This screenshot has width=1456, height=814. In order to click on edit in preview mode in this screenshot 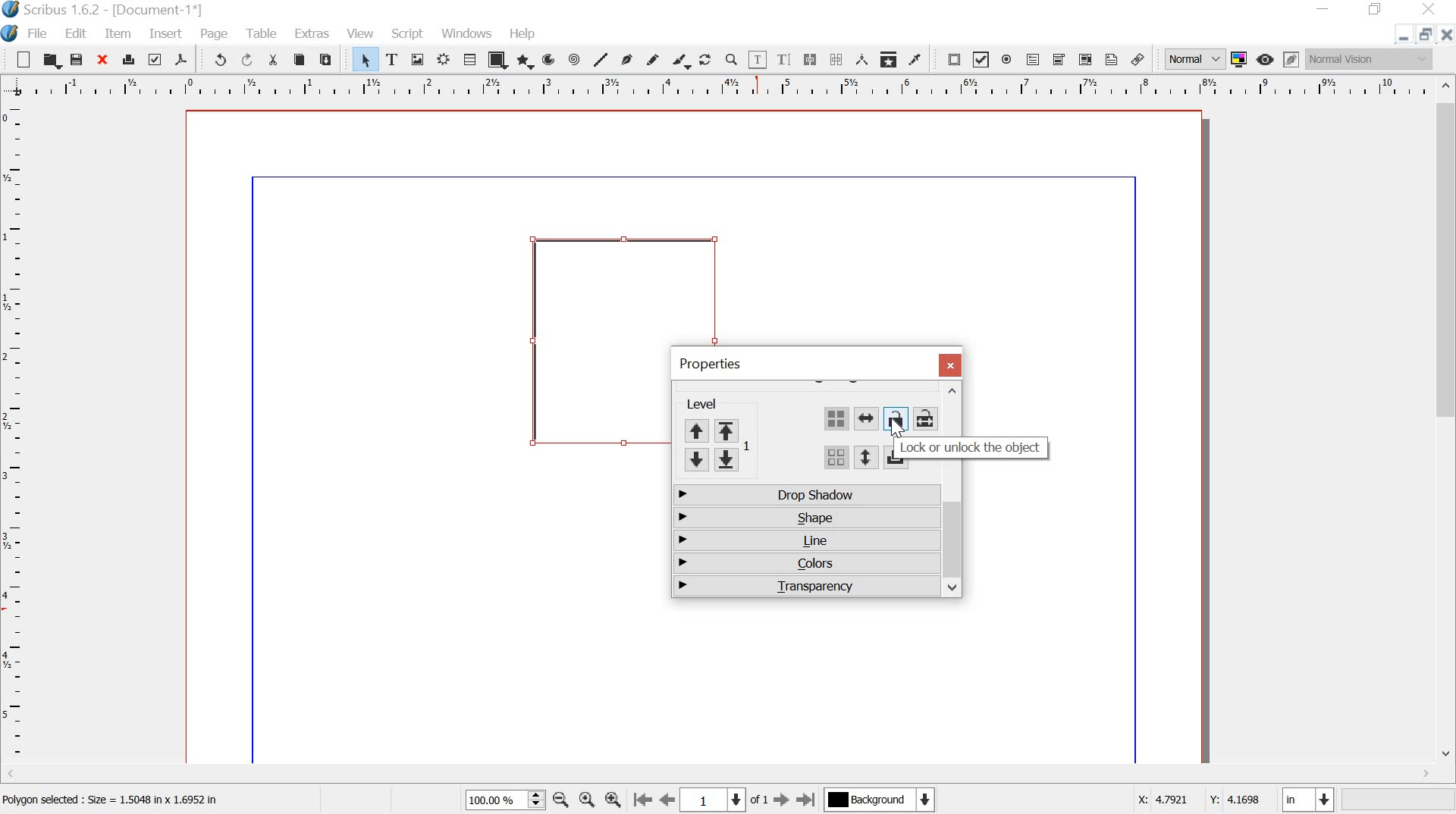, I will do `click(1292, 59)`.